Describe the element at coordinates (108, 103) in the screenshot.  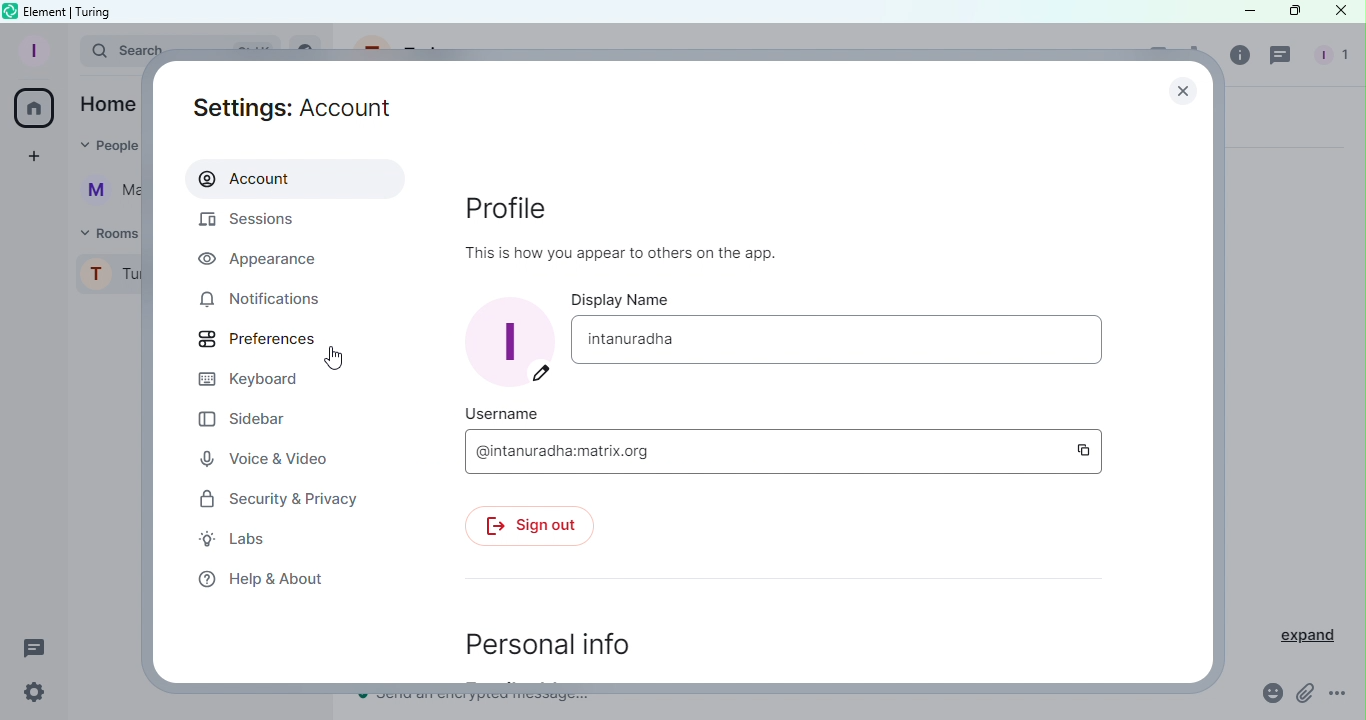
I see `Home ` at that location.